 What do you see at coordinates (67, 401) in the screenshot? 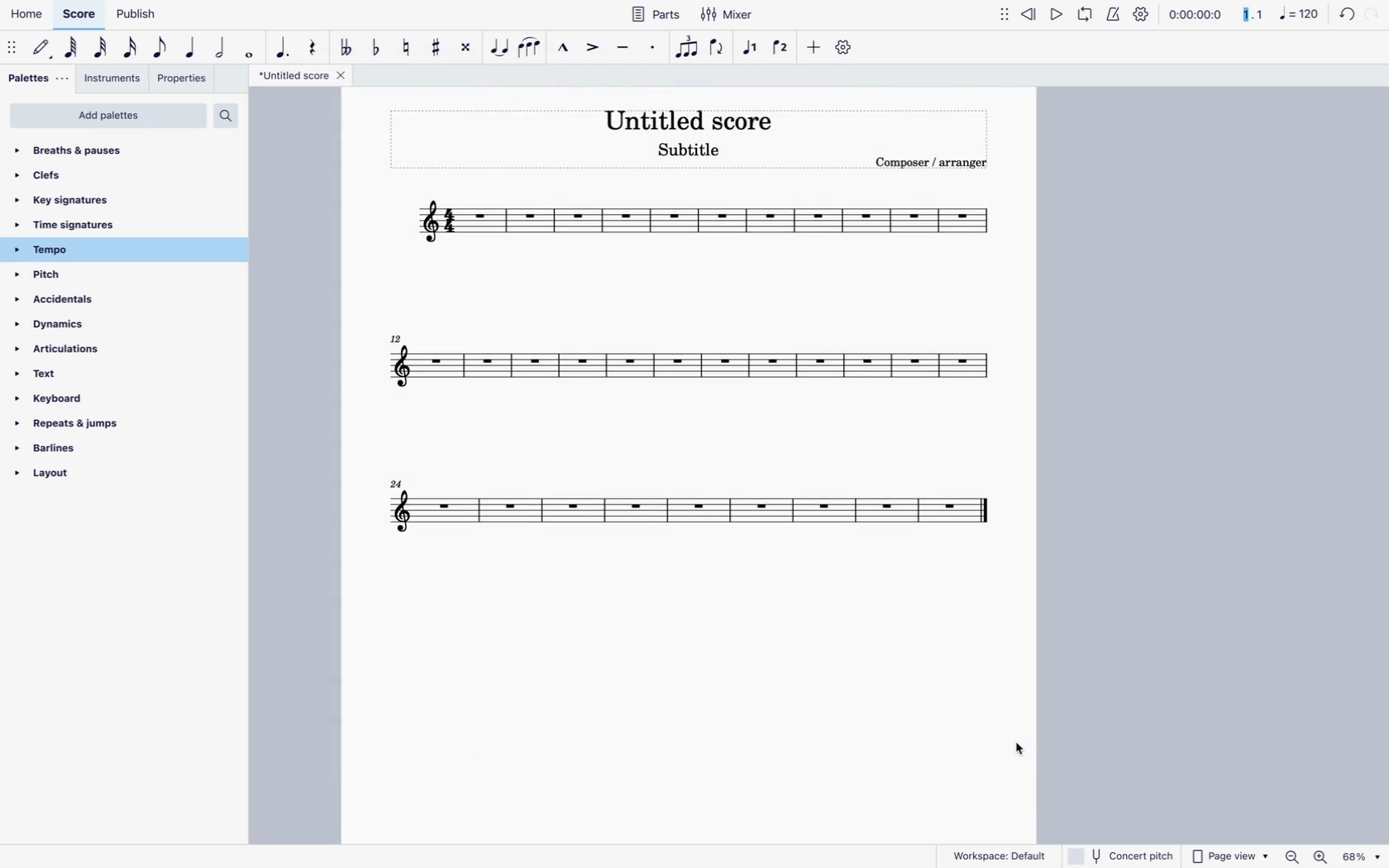
I see `keyboard` at bounding box center [67, 401].